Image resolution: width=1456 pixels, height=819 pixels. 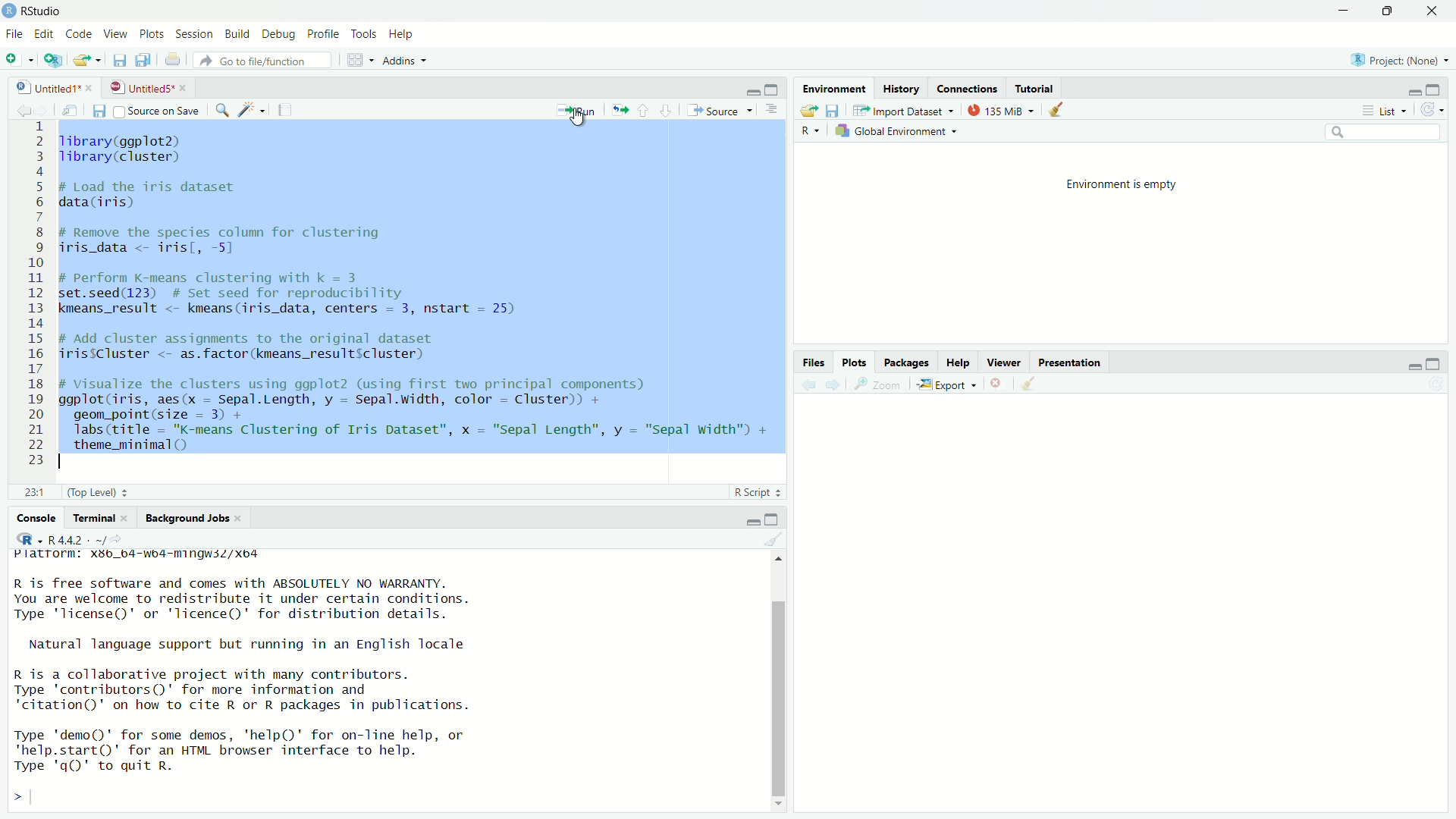 What do you see at coordinates (1005, 362) in the screenshot?
I see `viewer` at bounding box center [1005, 362].